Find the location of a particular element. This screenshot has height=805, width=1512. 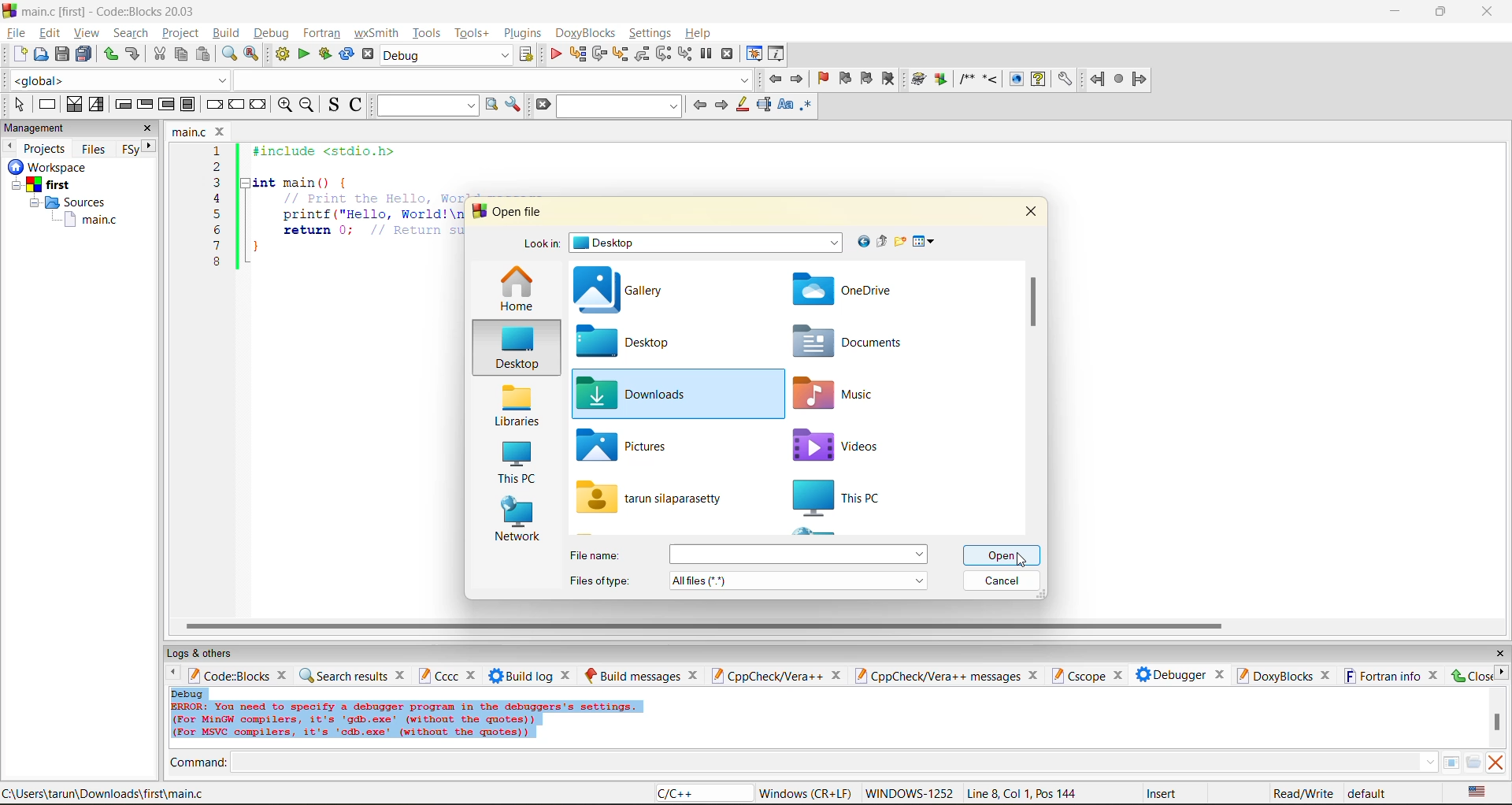

toggle comments is located at coordinates (358, 104).